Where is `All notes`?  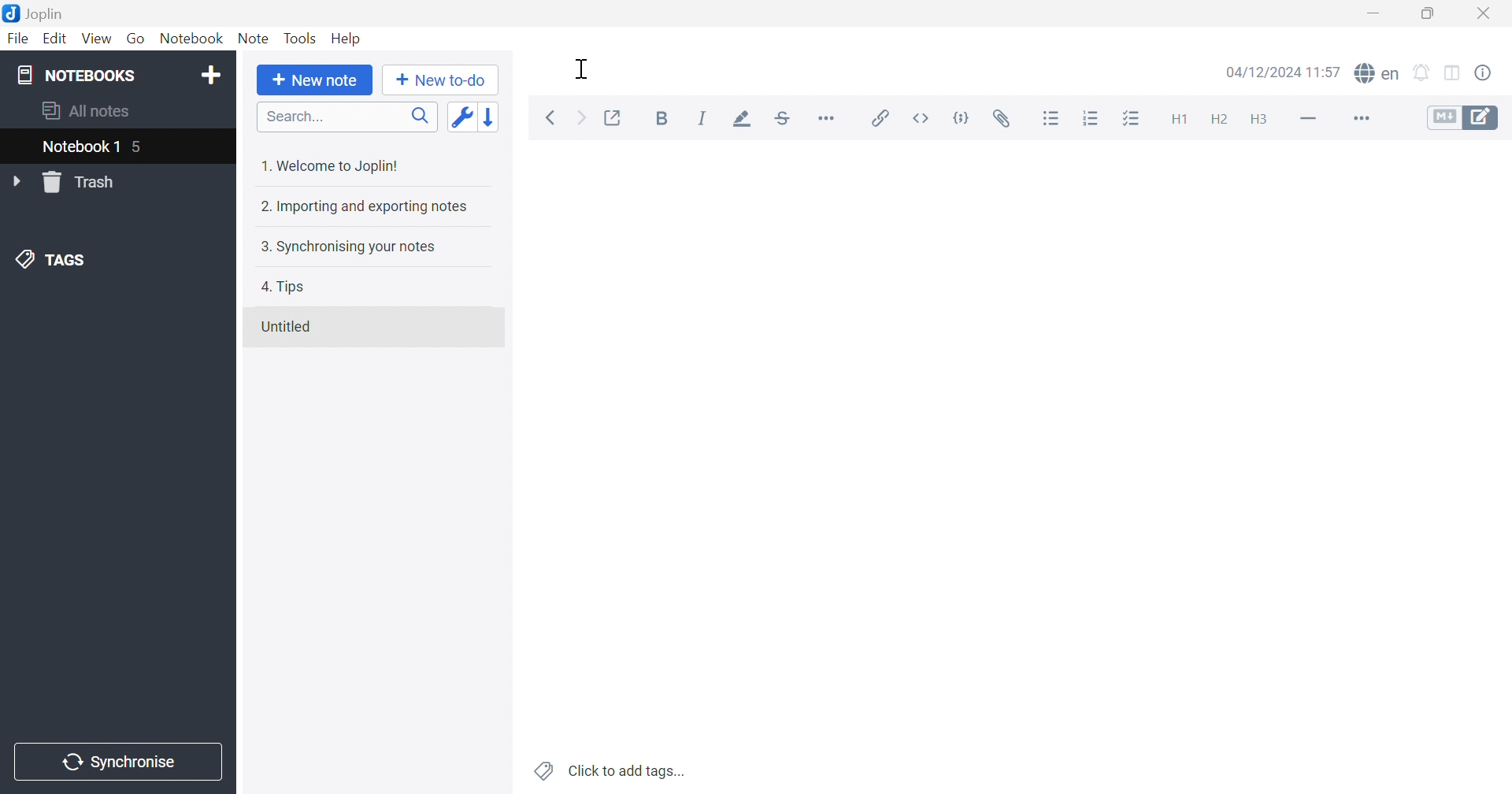
All notes is located at coordinates (89, 113).